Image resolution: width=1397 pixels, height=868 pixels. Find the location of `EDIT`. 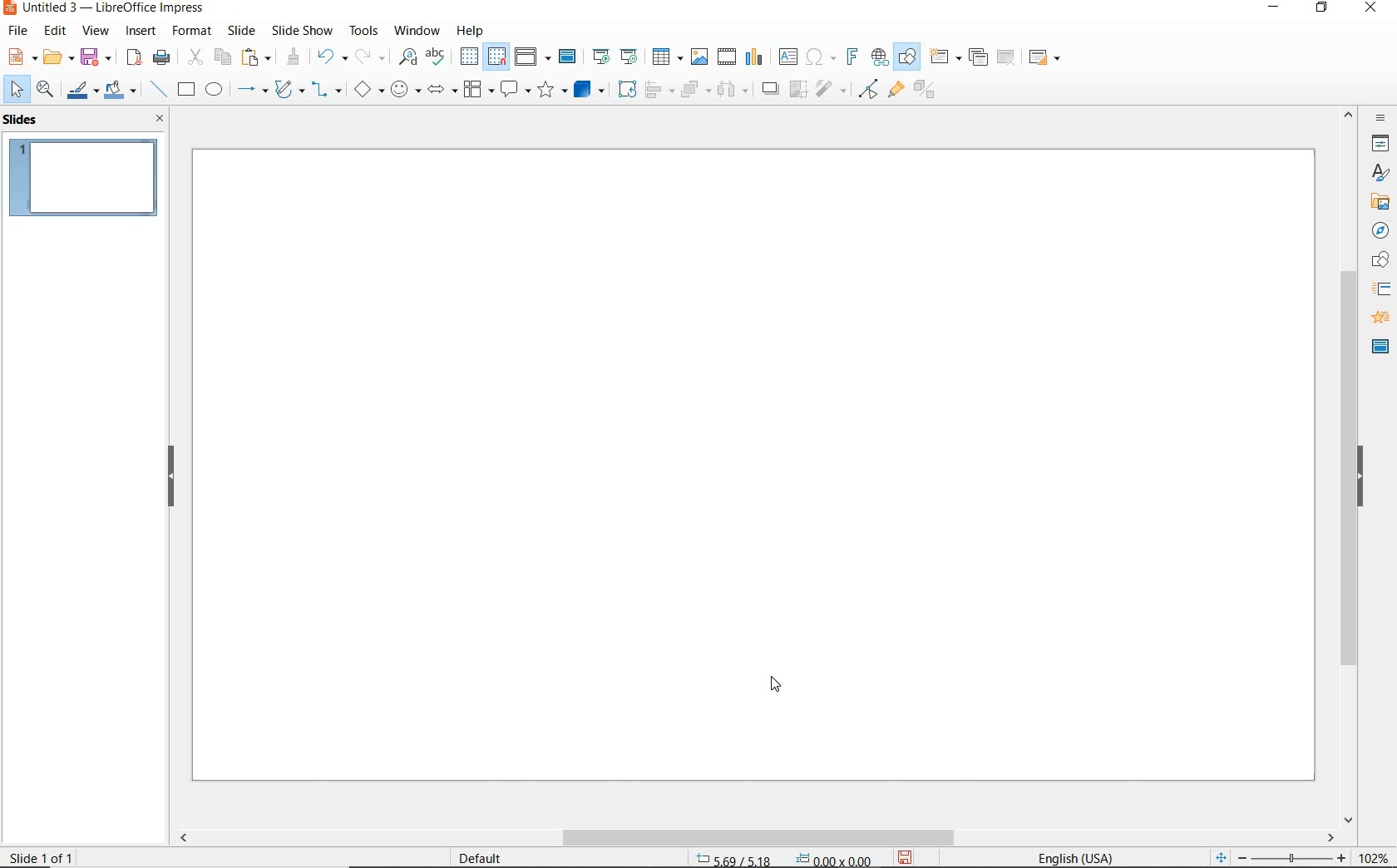

EDIT is located at coordinates (54, 32).